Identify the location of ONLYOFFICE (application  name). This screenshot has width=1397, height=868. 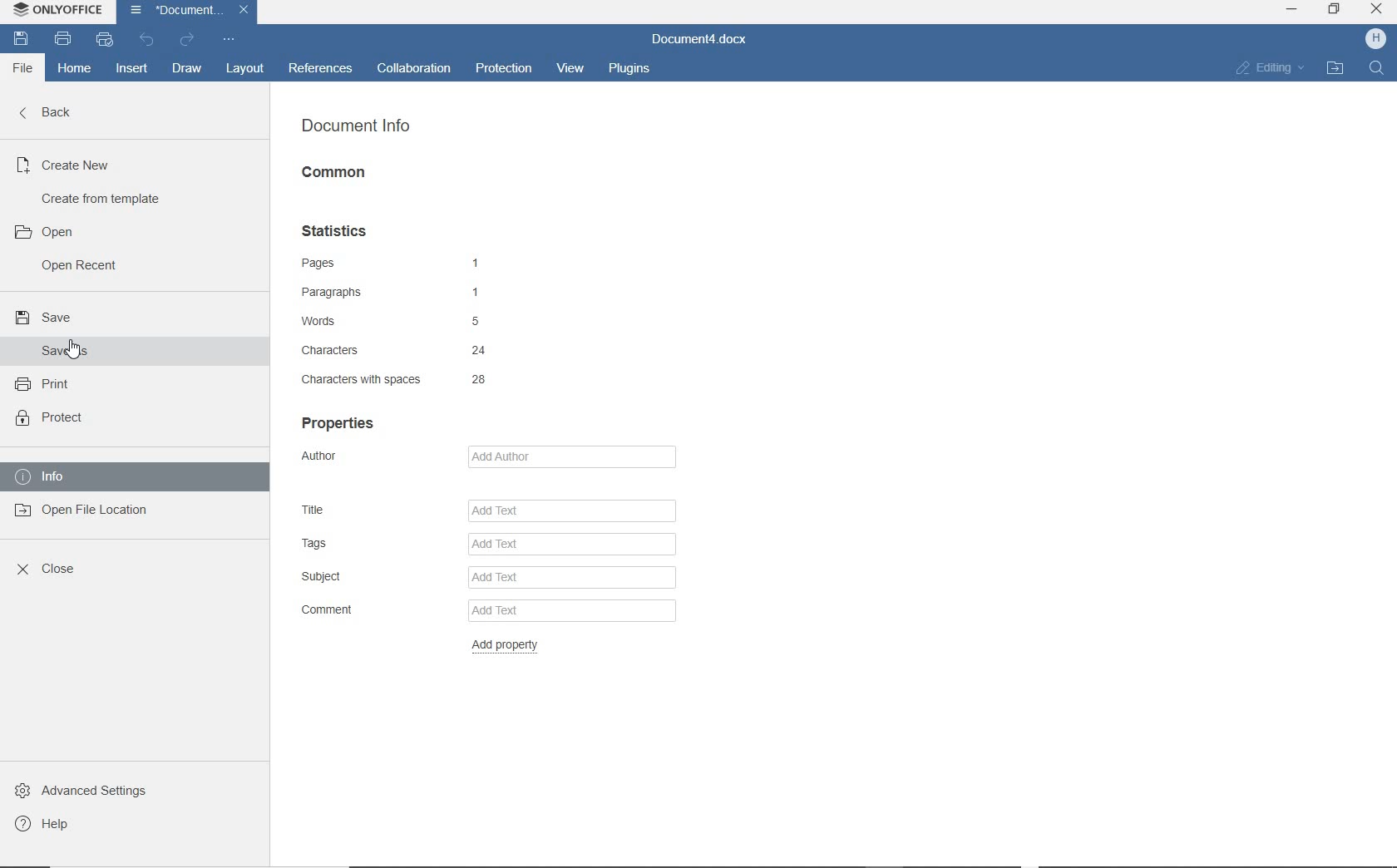
(57, 11).